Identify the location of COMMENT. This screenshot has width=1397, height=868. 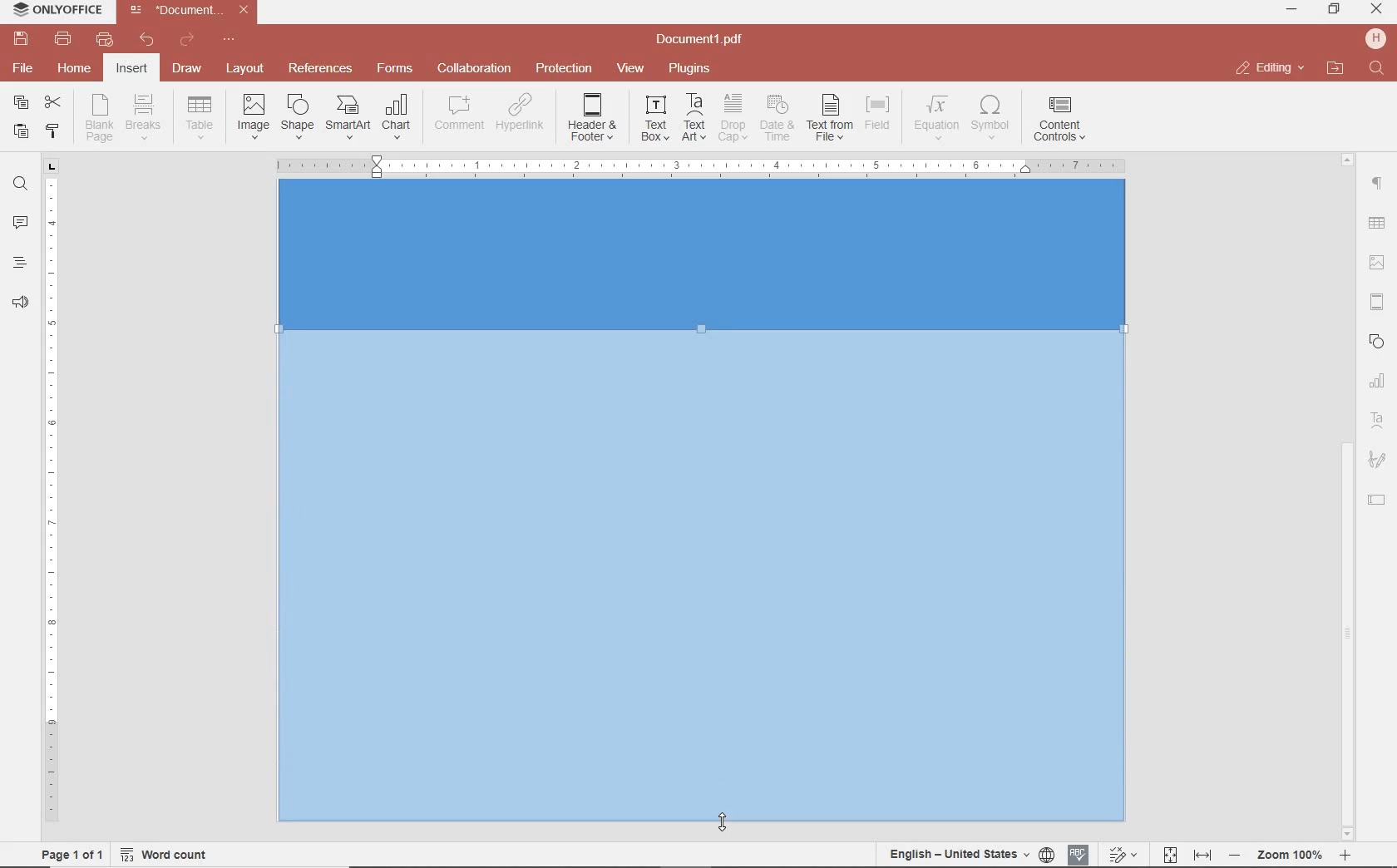
(461, 113).